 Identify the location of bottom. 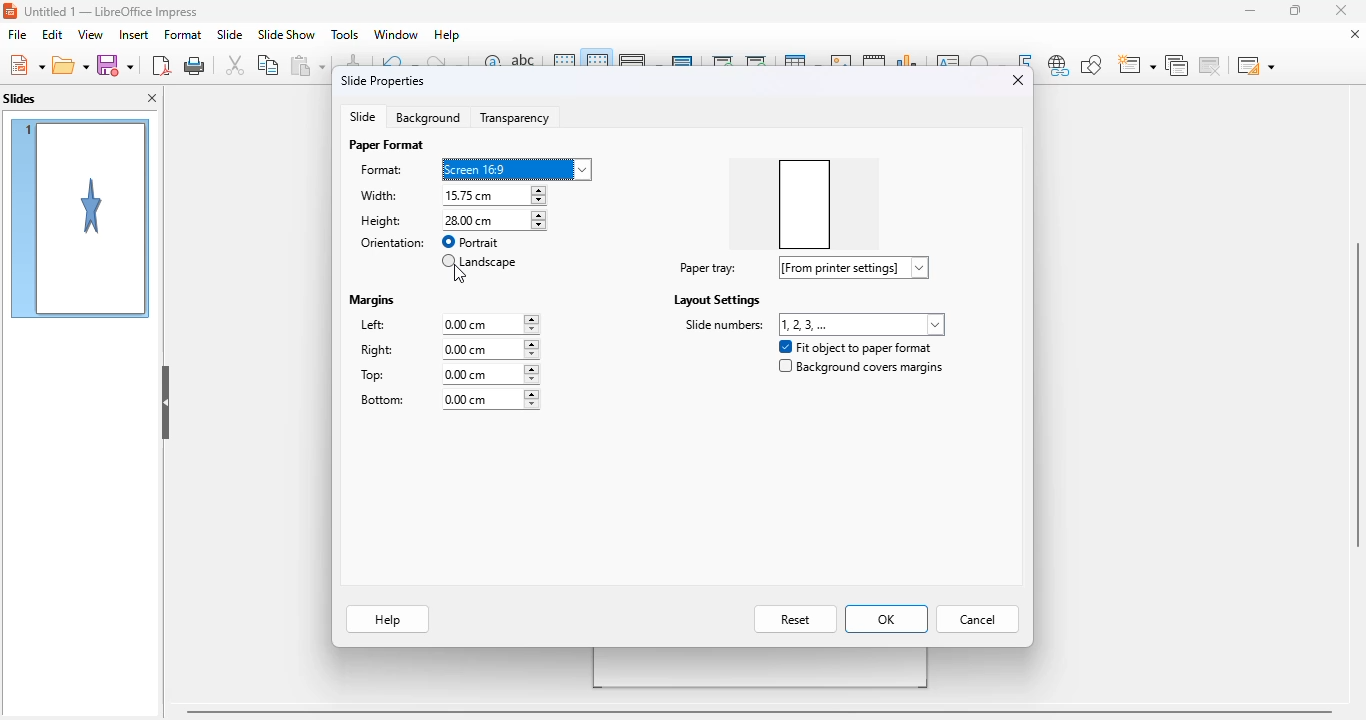
(381, 401).